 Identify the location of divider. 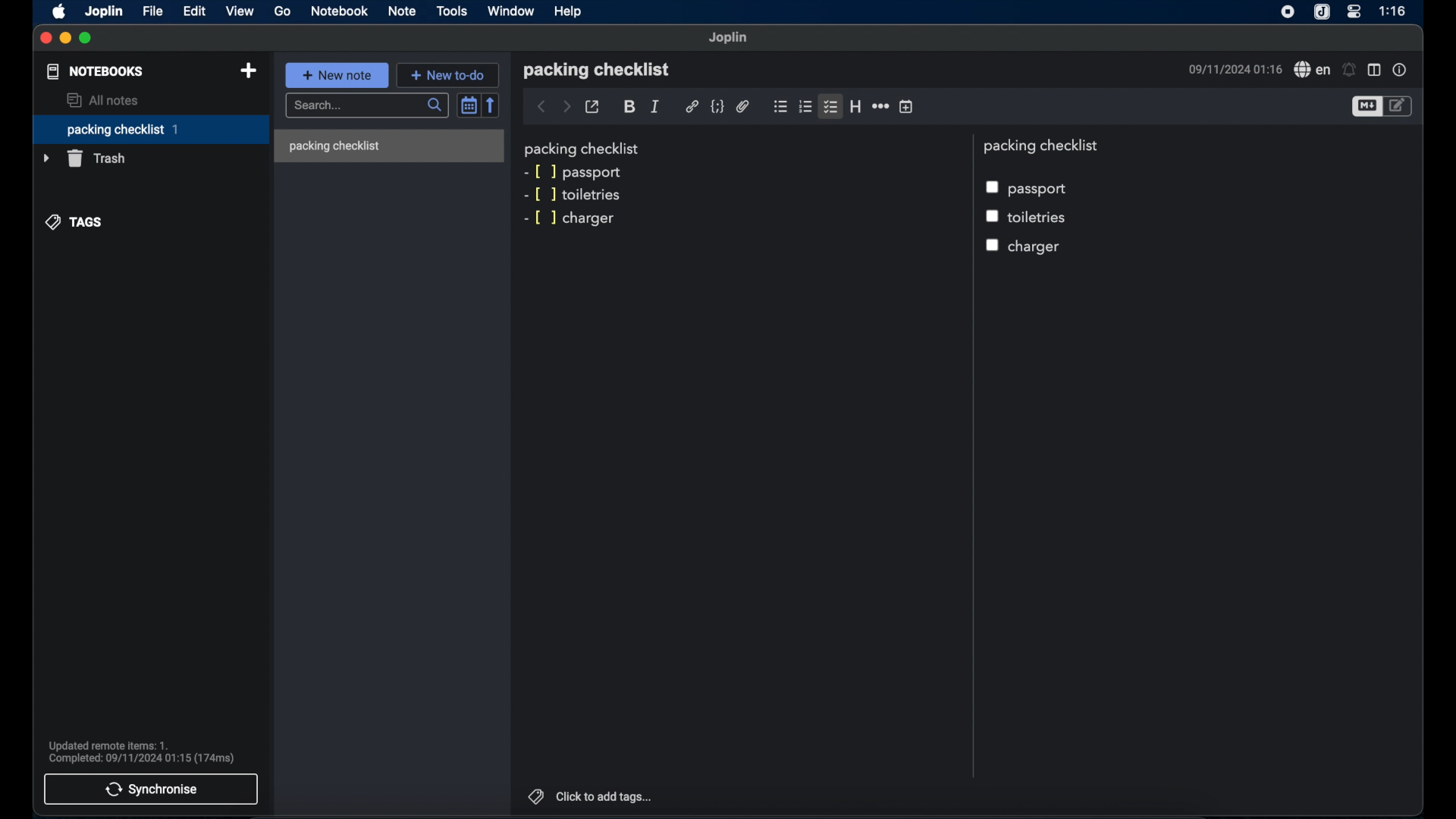
(971, 456).